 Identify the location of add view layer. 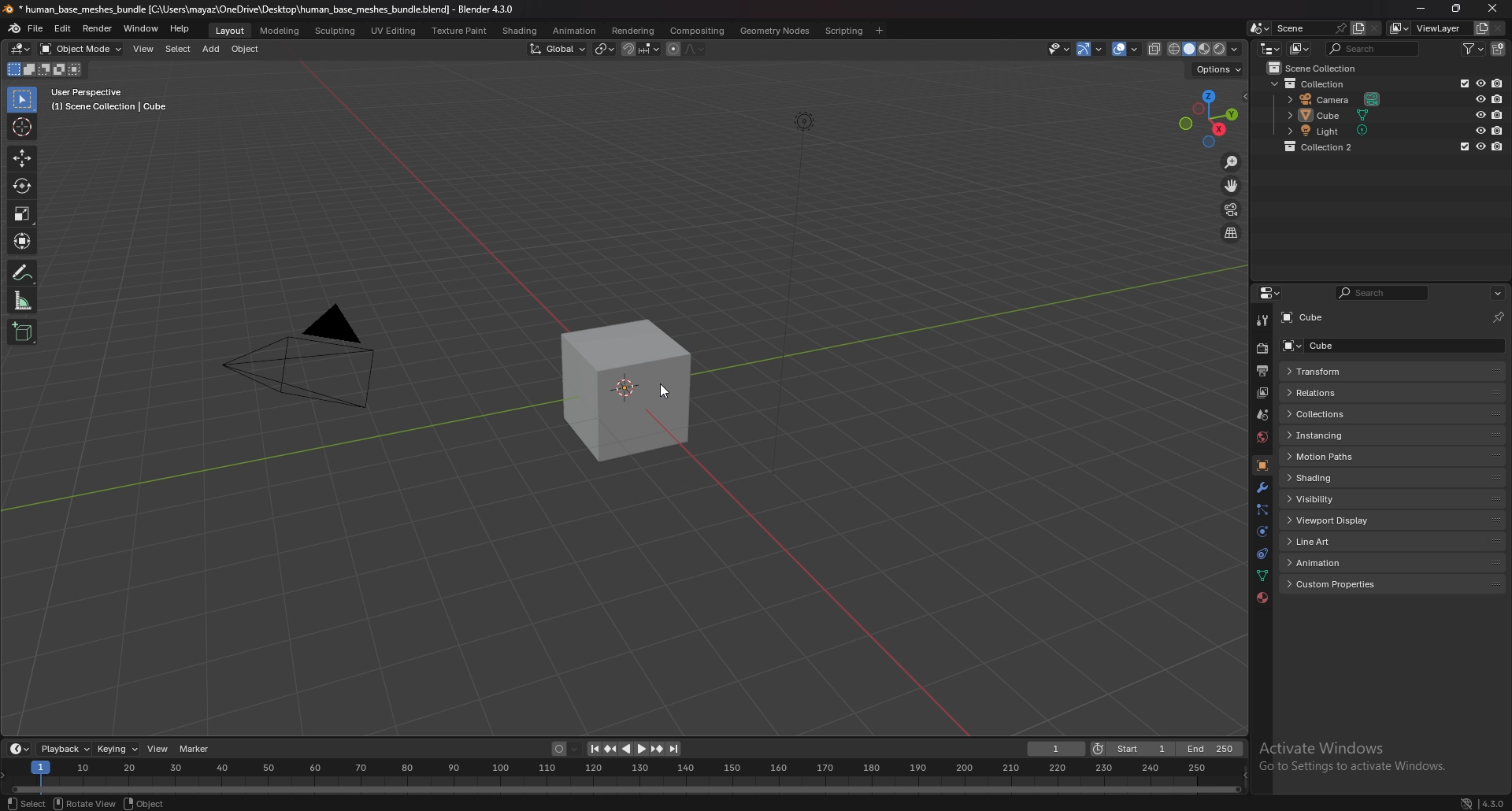
(1480, 28).